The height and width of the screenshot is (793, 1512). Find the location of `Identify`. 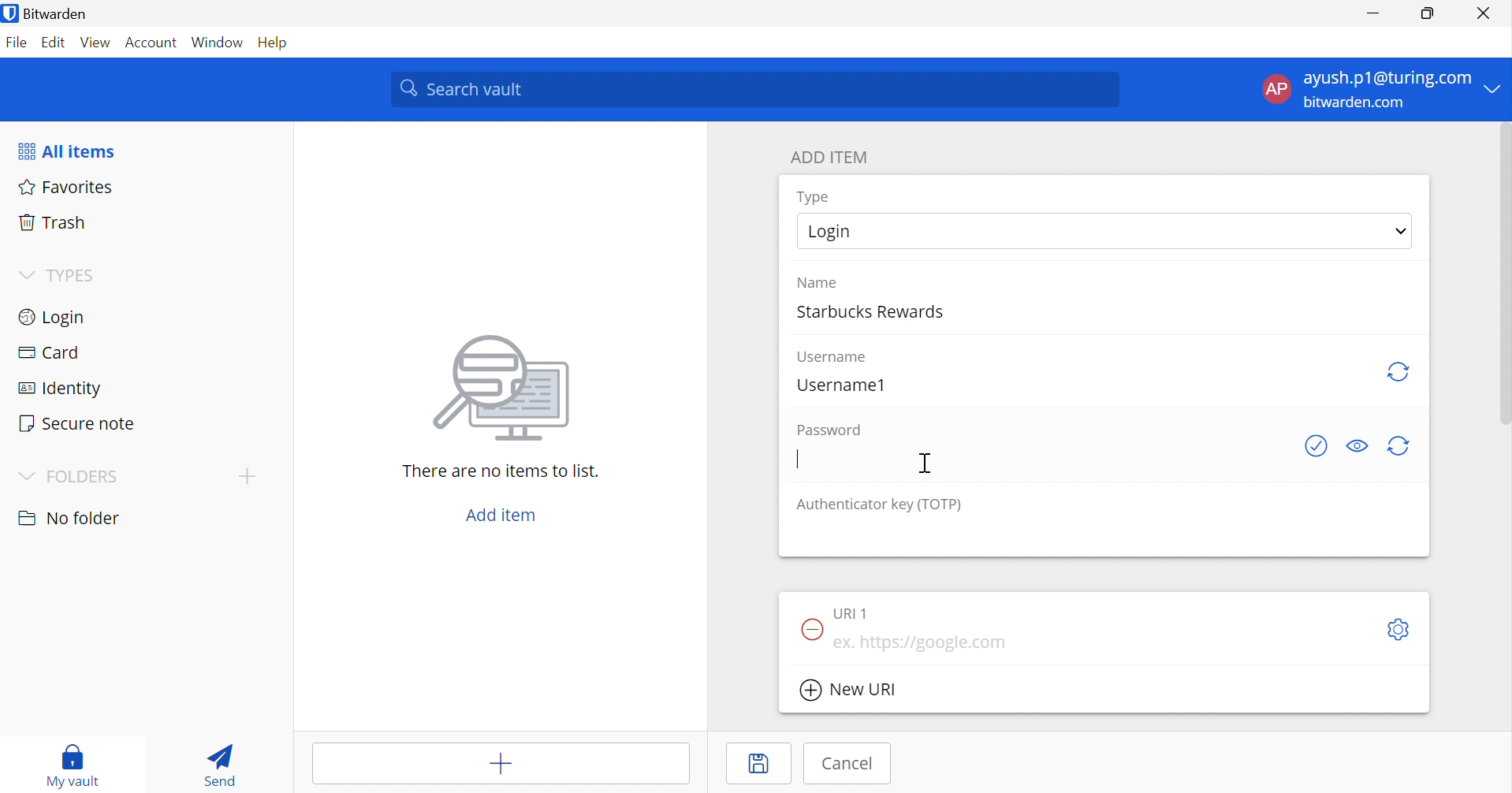

Identify is located at coordinates (59, 390).